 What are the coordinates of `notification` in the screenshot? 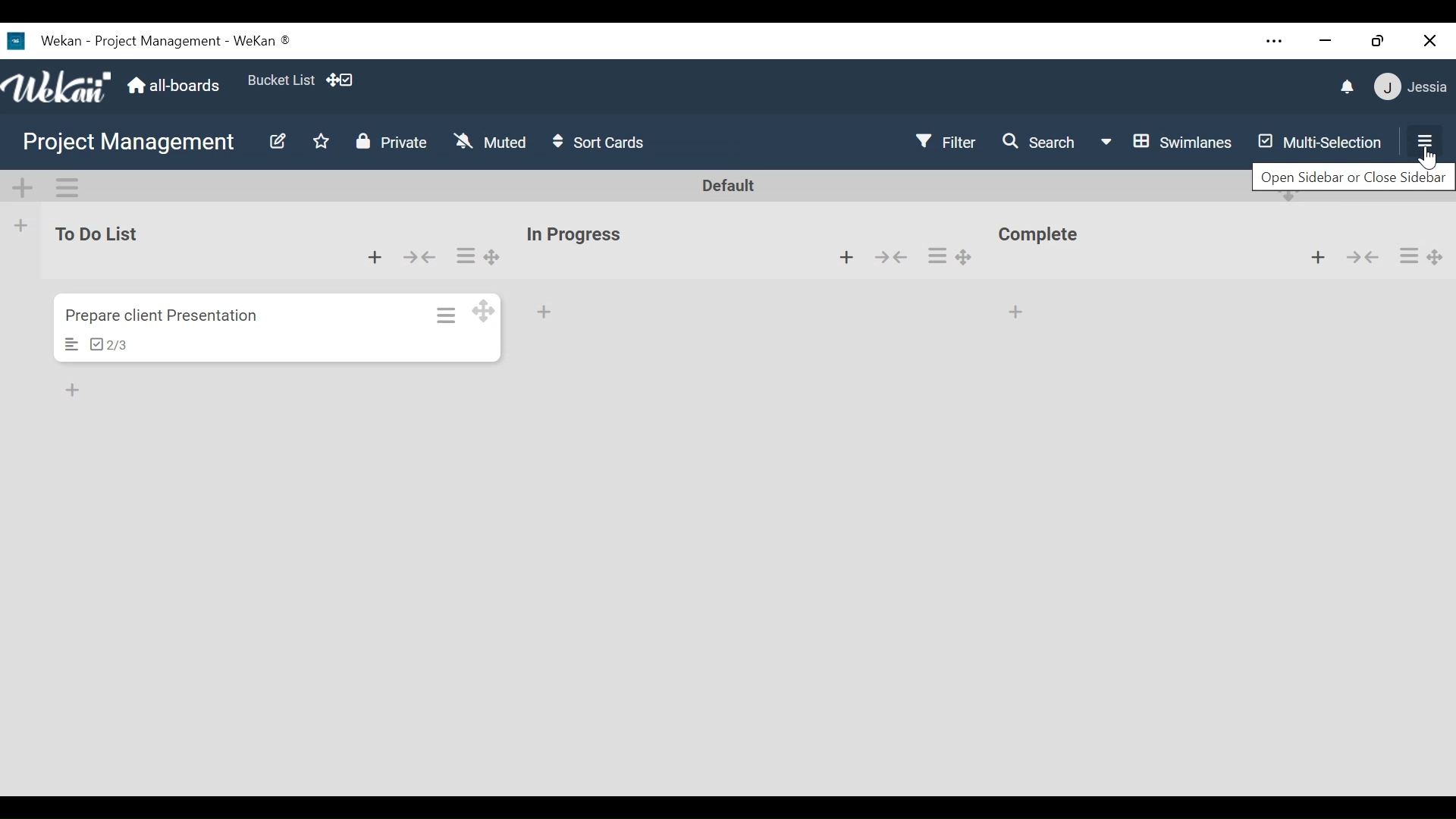 It's located at (1348, 88).